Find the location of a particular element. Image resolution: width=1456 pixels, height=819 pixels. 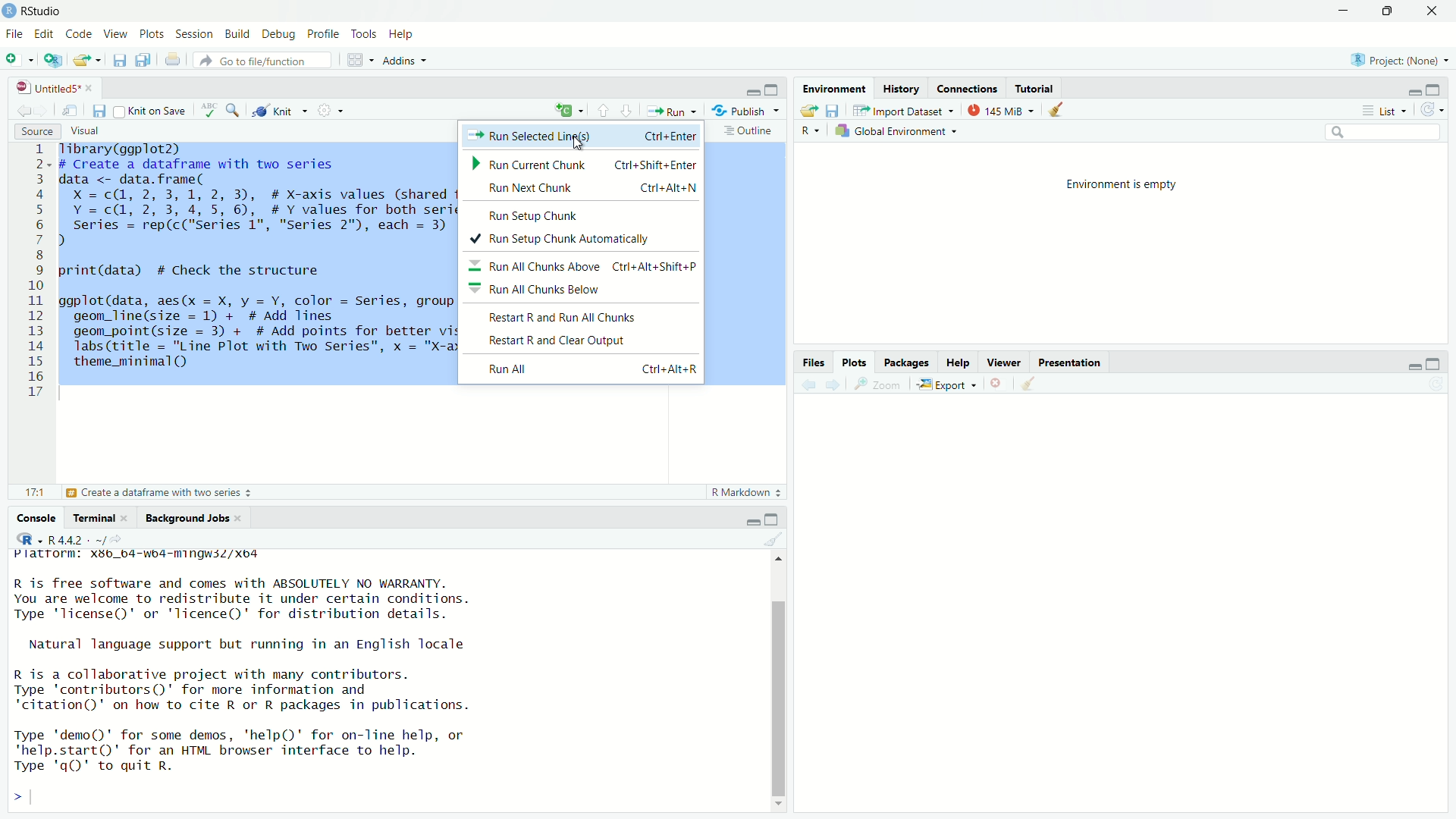

Tools is located at coordinates (367, 36).